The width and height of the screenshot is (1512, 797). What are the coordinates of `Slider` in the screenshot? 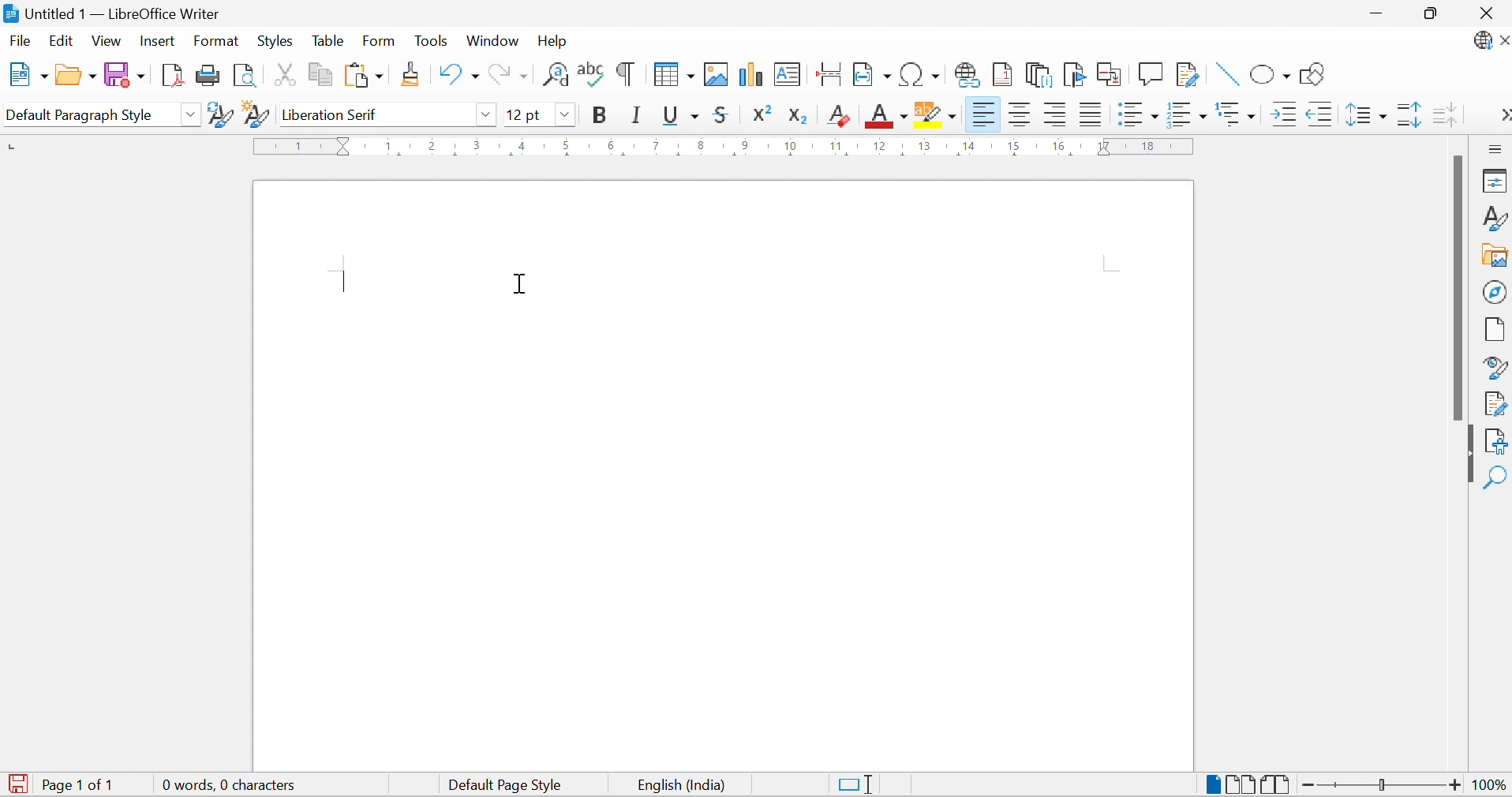 It's located at (1379, 782).